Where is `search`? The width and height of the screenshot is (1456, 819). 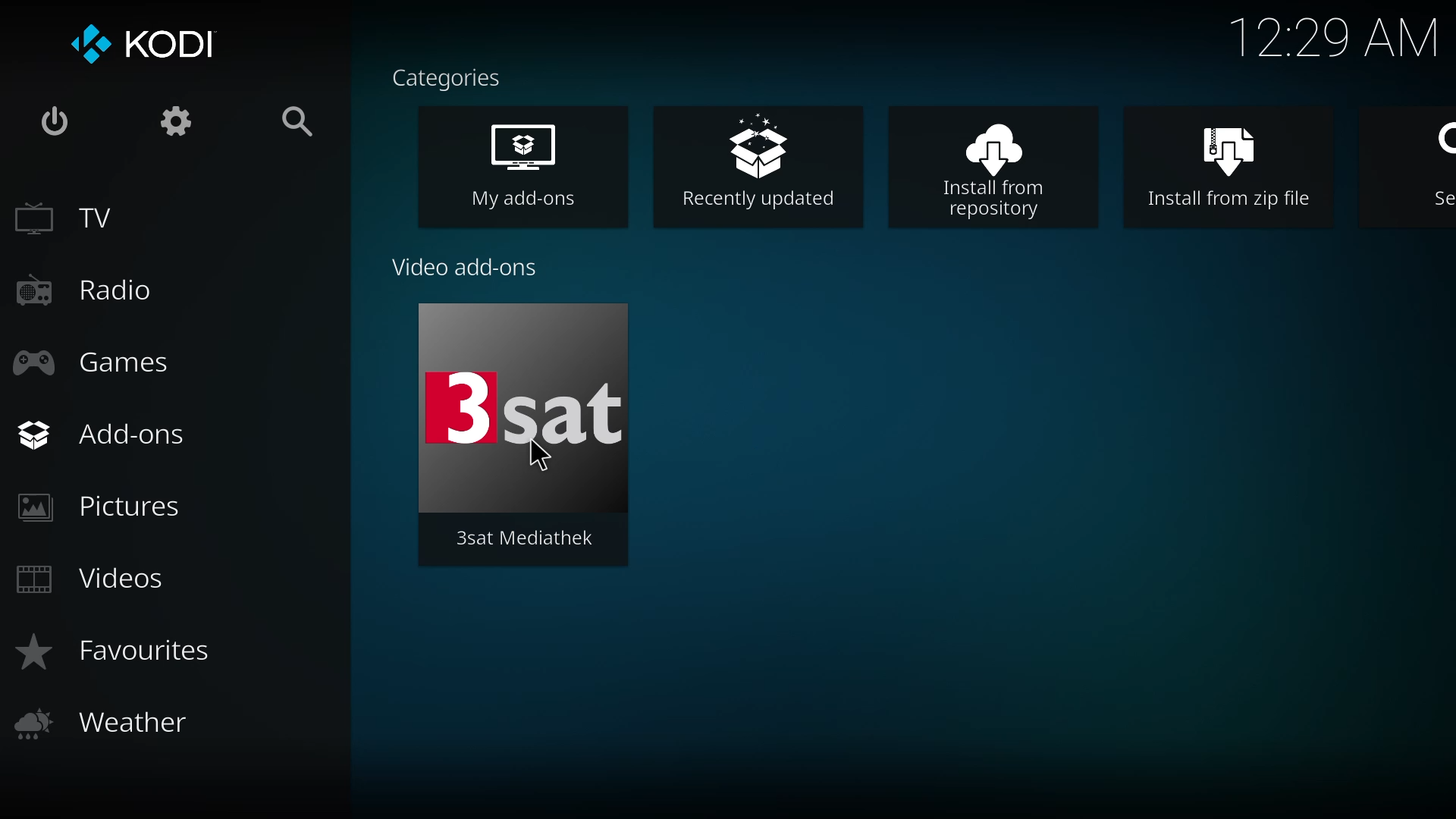
search is located at coordinates (296, 120).